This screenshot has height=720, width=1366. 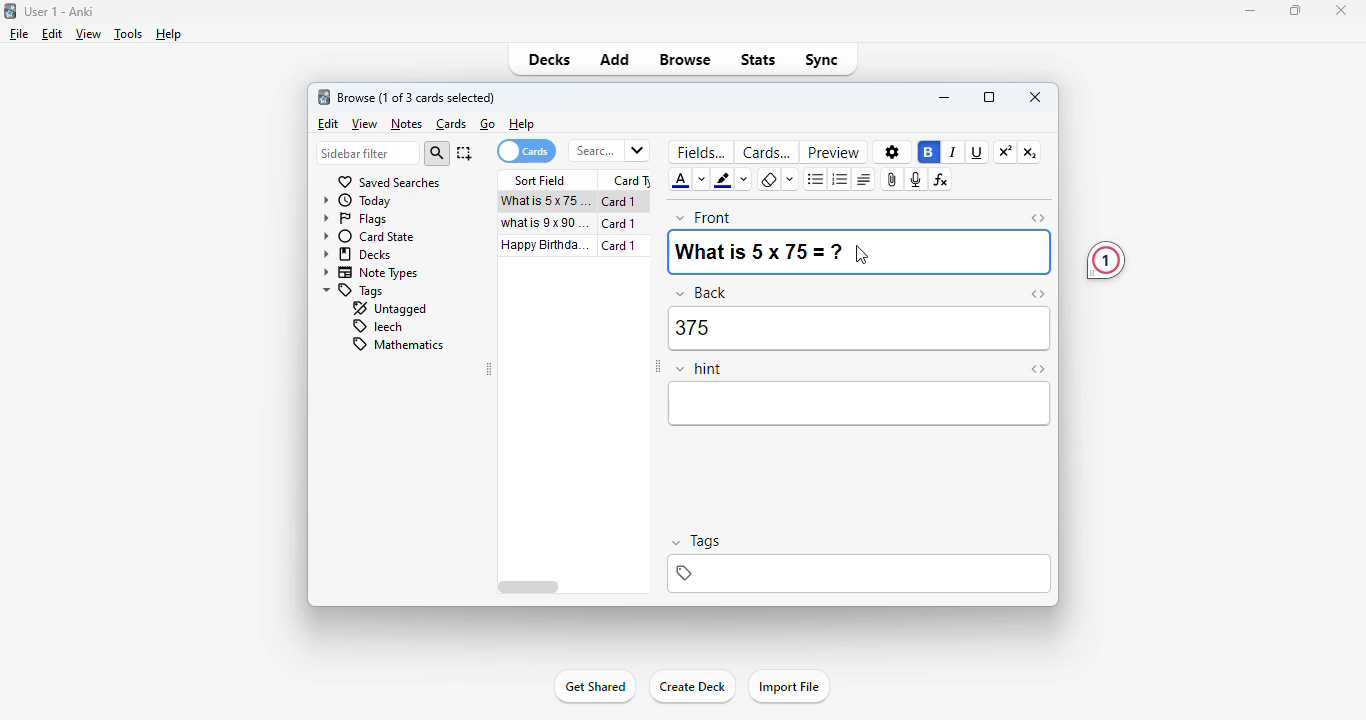 I want to click on underline, so click(x=977, y=153).